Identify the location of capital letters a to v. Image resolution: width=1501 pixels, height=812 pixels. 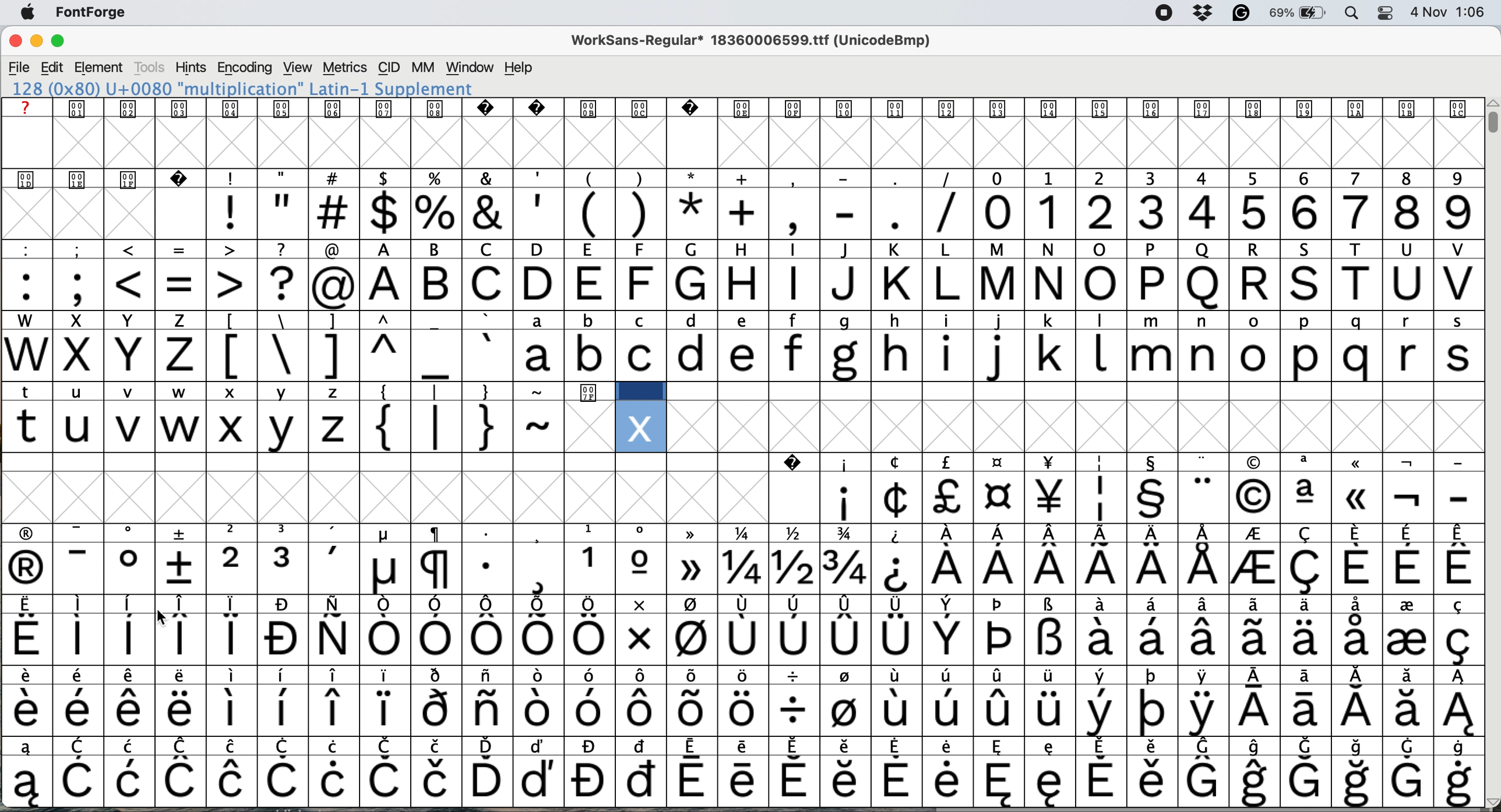
(918, 286).